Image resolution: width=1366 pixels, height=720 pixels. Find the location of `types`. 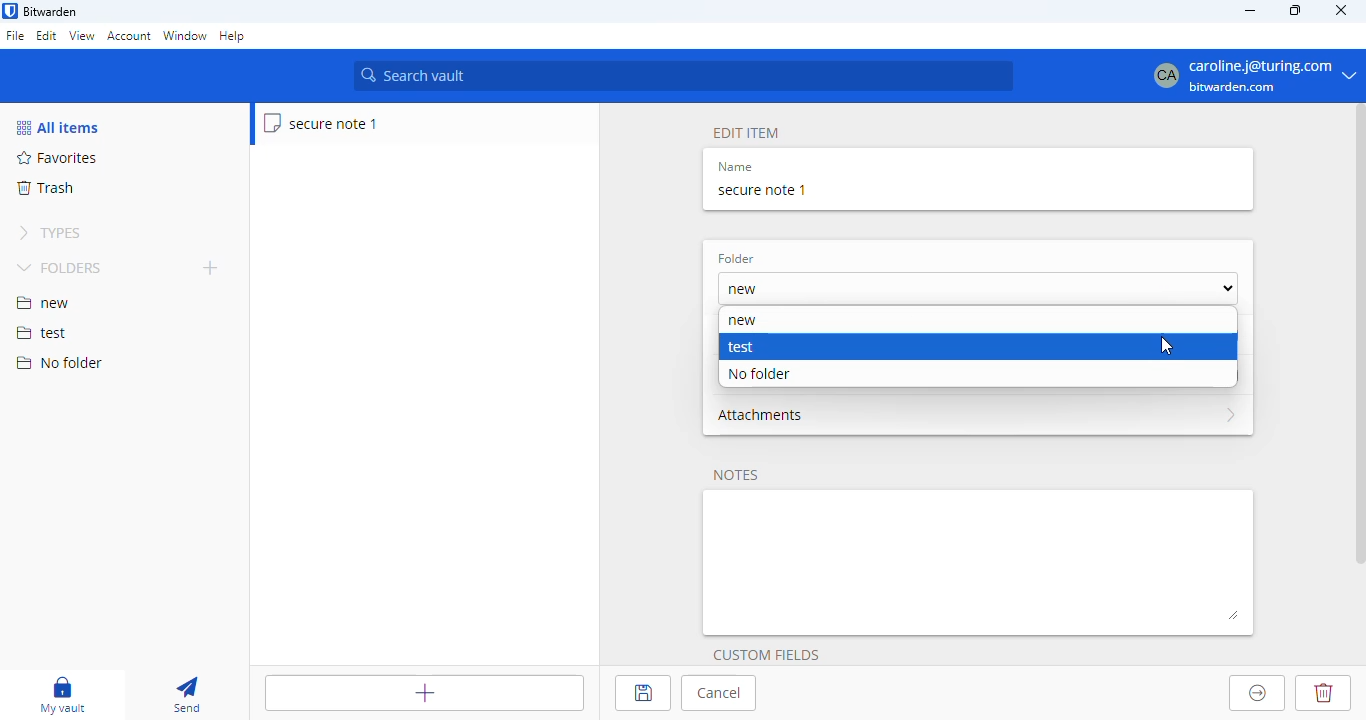

types is located at coordinates (50, 233).